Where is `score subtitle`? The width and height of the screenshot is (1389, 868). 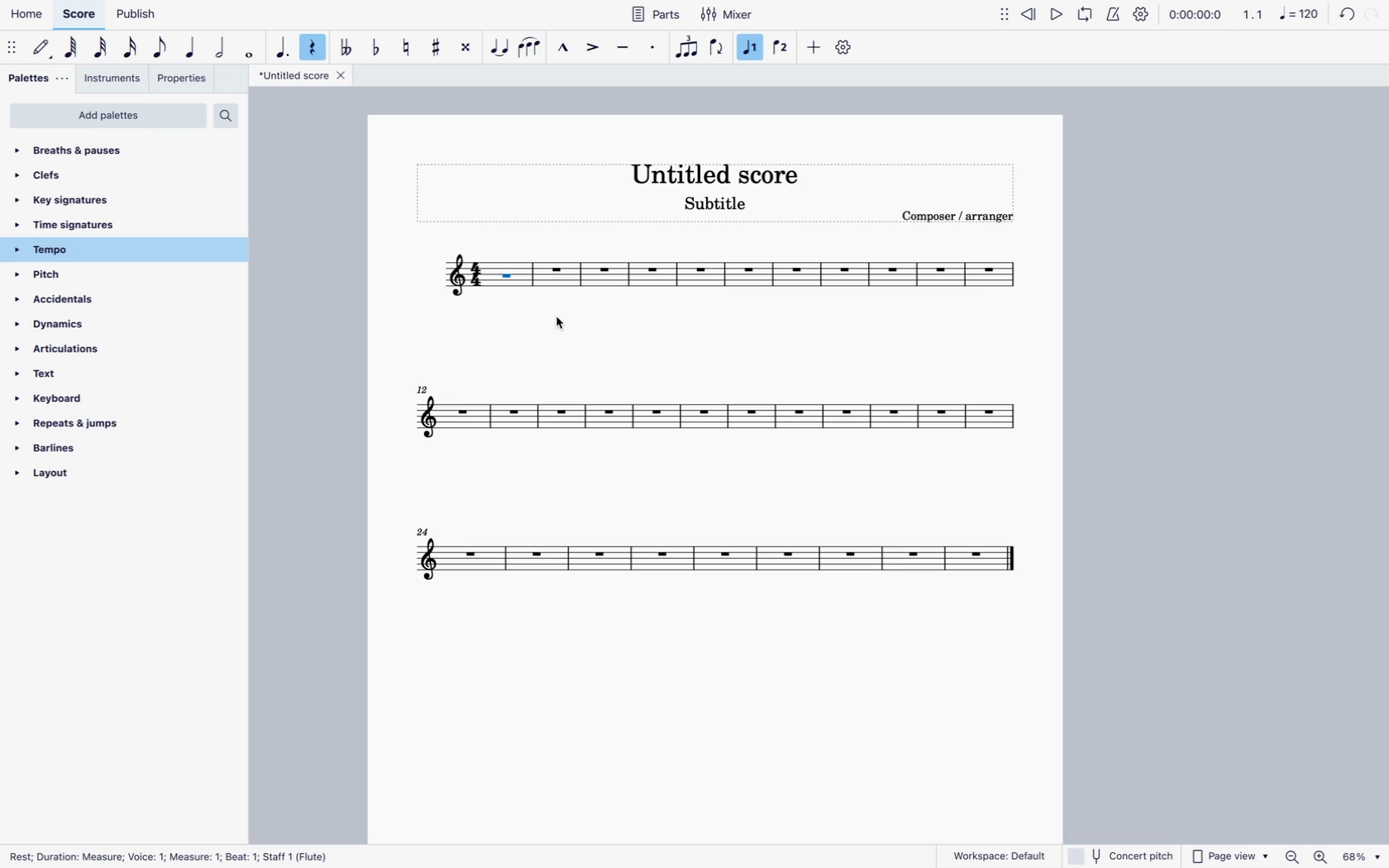 score subtitle is located at coordinates (715, 206).